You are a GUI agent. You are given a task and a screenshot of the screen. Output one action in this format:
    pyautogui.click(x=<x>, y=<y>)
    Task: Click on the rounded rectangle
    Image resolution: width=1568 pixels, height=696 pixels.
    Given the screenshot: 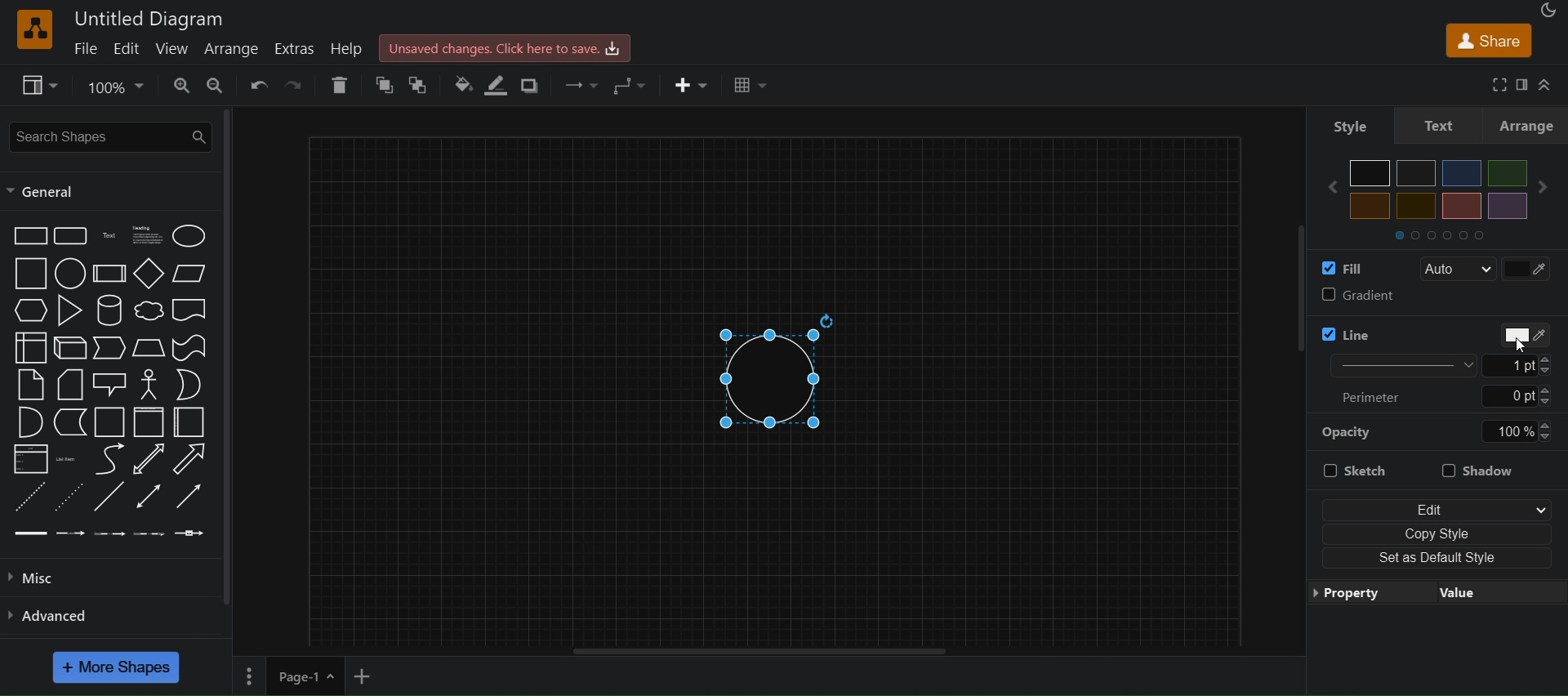 What is the action you would take?
    pyautogui.click(x=69, y=236)
    